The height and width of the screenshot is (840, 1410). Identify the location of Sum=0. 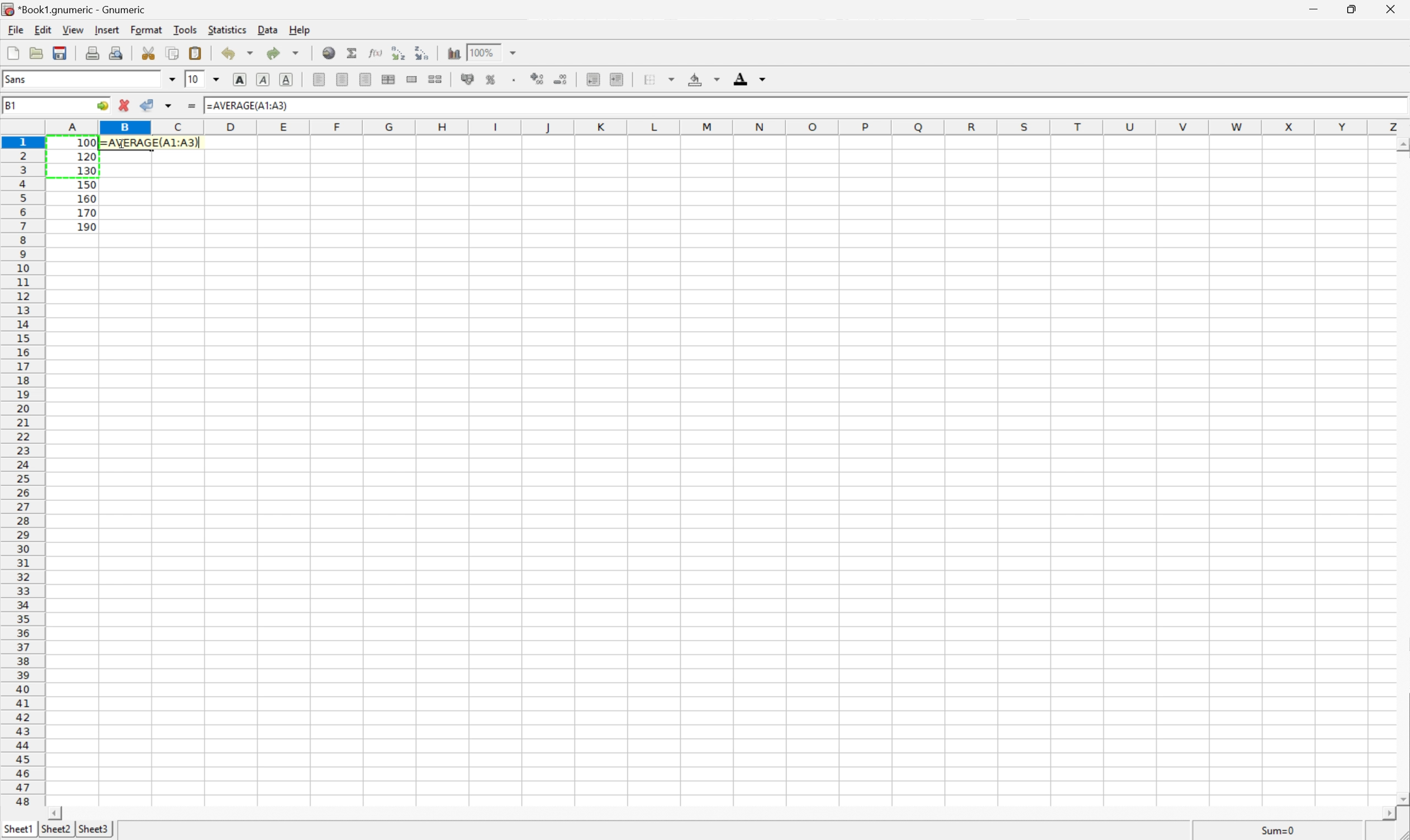
(1278, 829).